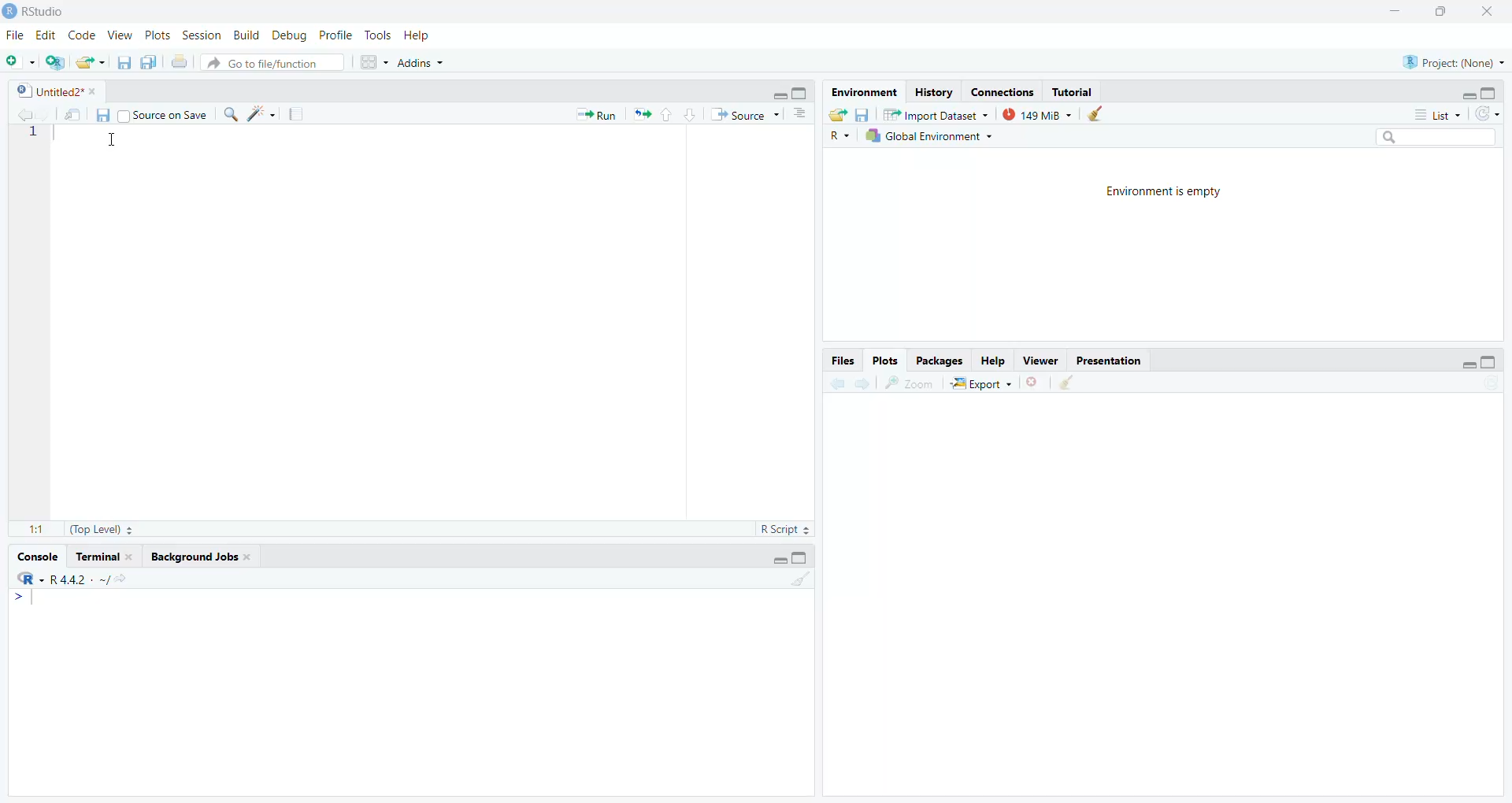 This screenshot has height=803, width=1512. What do you see at coordinates (1073, 92) in the screenshot?
I see `Tutorial` at bounding box center [1073, 92].